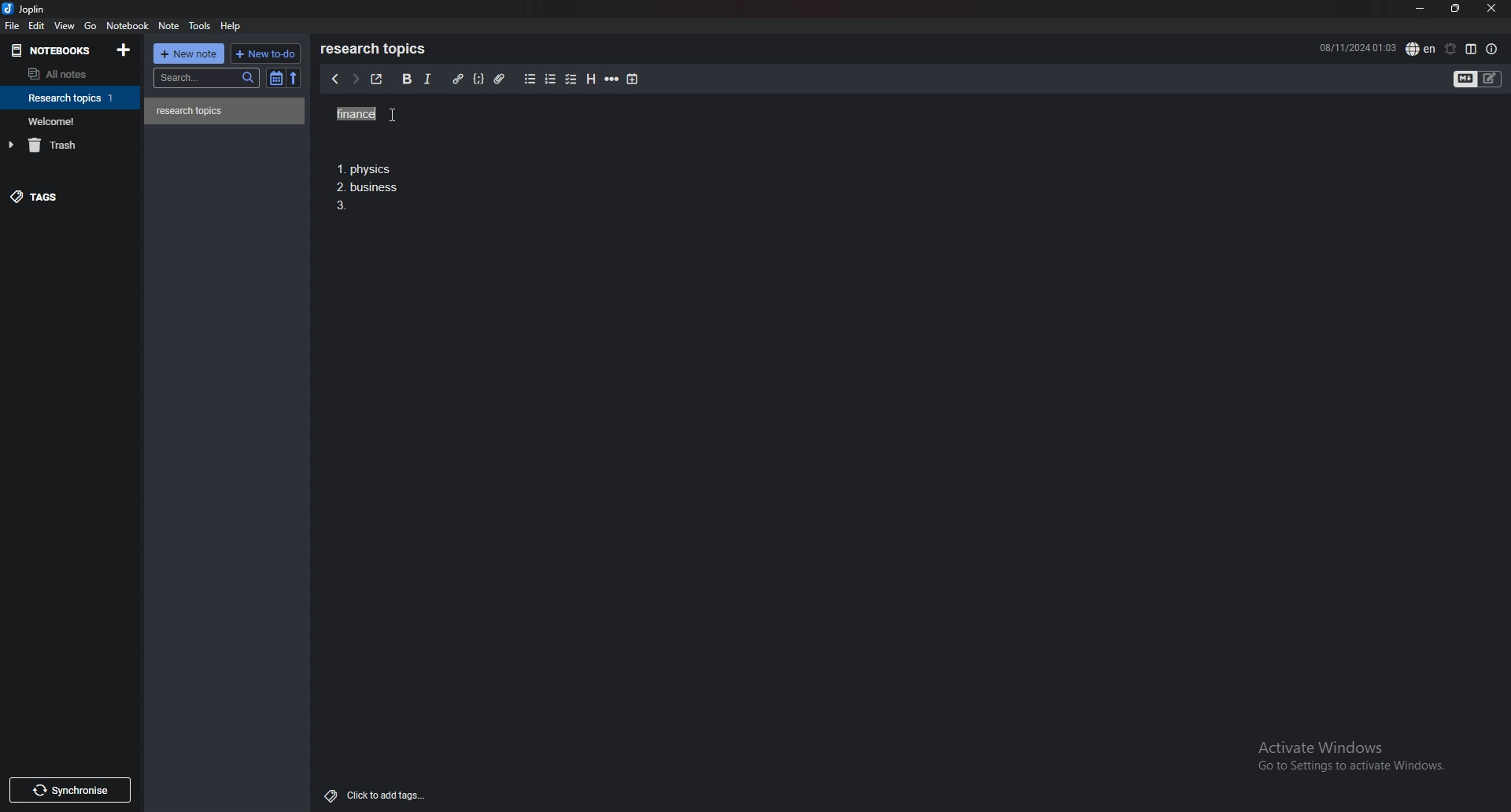 The image size is (1511, 812). I want to click on checkbox, so click(571, 79).